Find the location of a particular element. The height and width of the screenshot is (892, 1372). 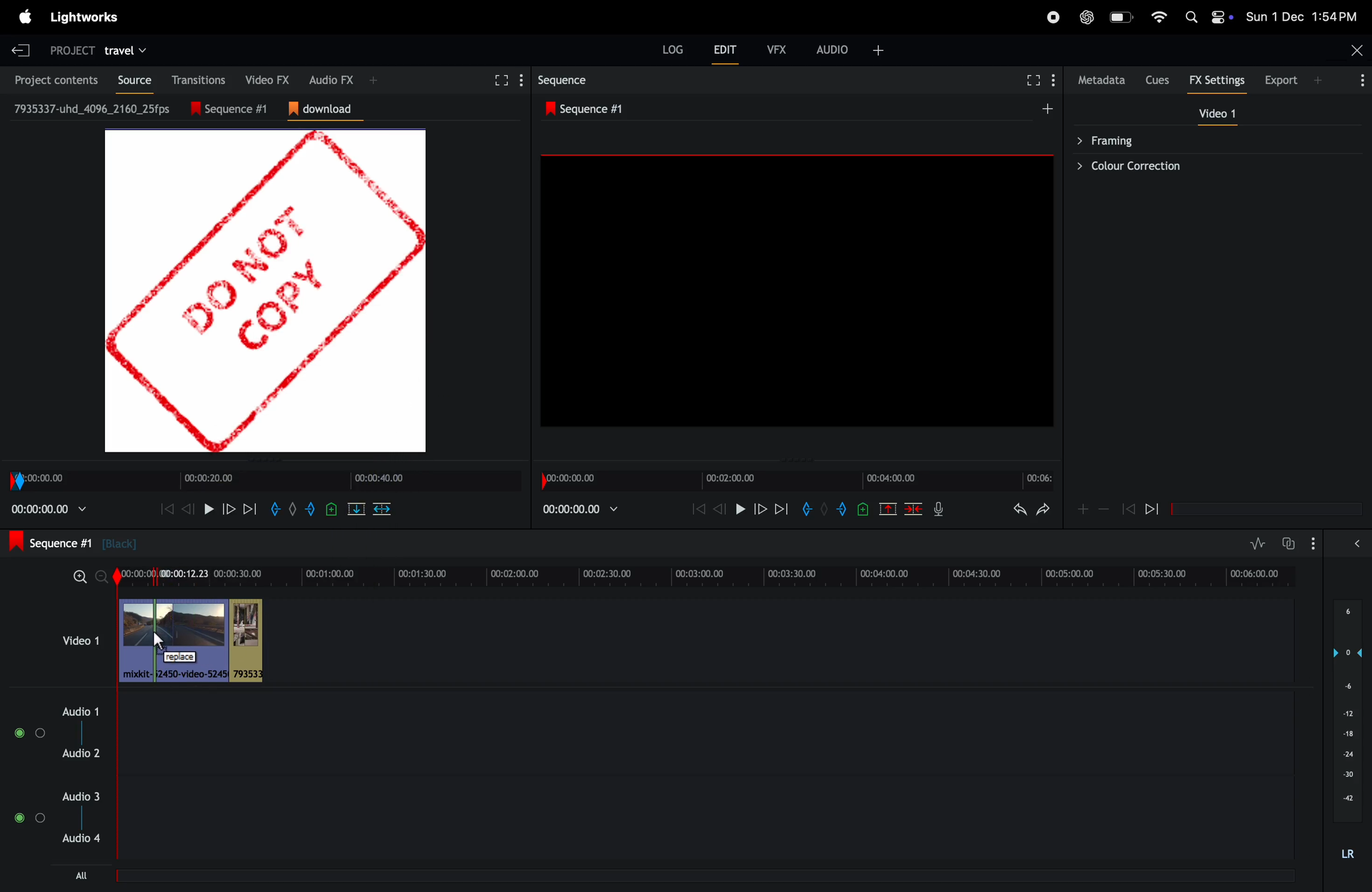

full screen is located at coordinates (1034, 80).